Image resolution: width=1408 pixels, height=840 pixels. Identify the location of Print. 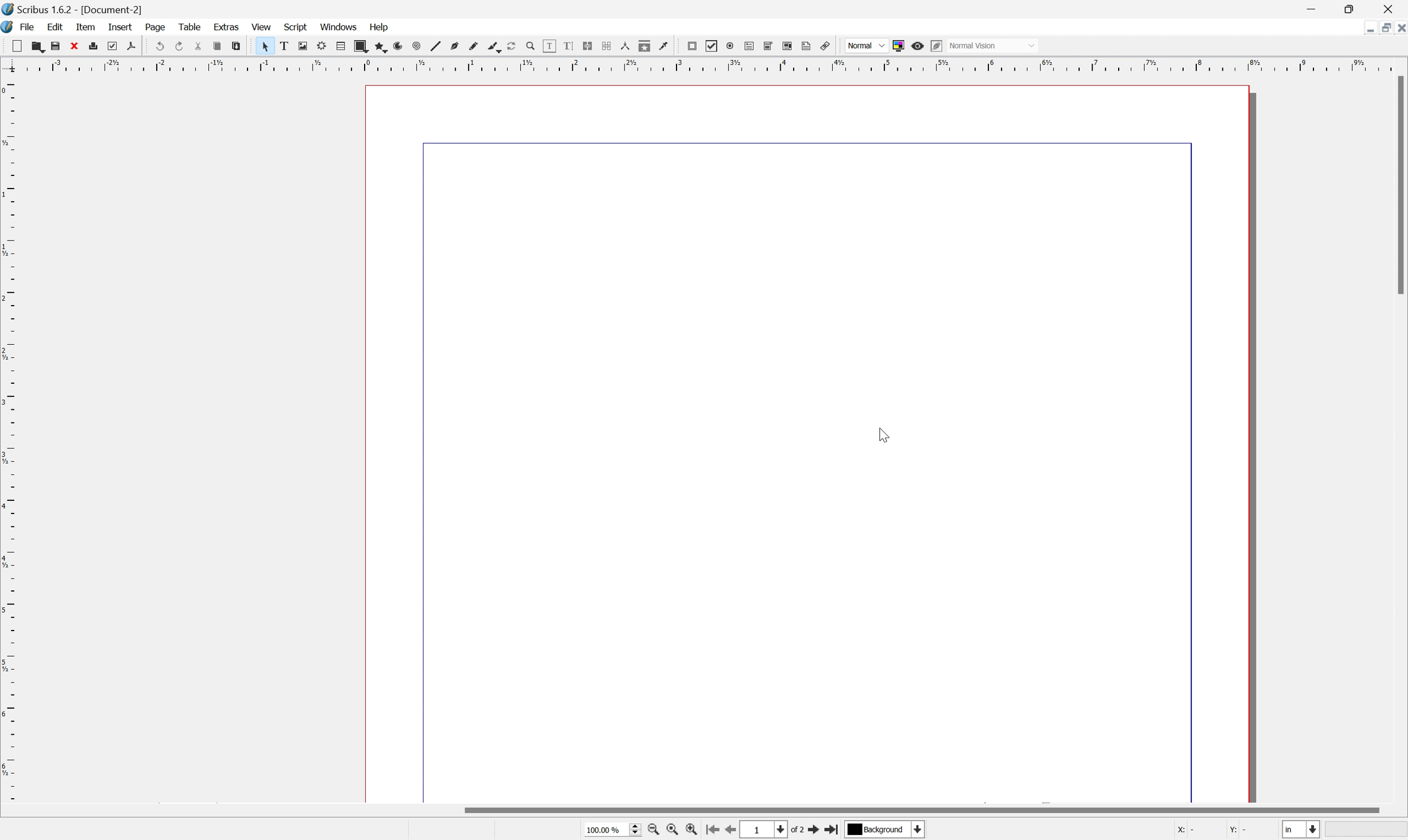
(97, 46).